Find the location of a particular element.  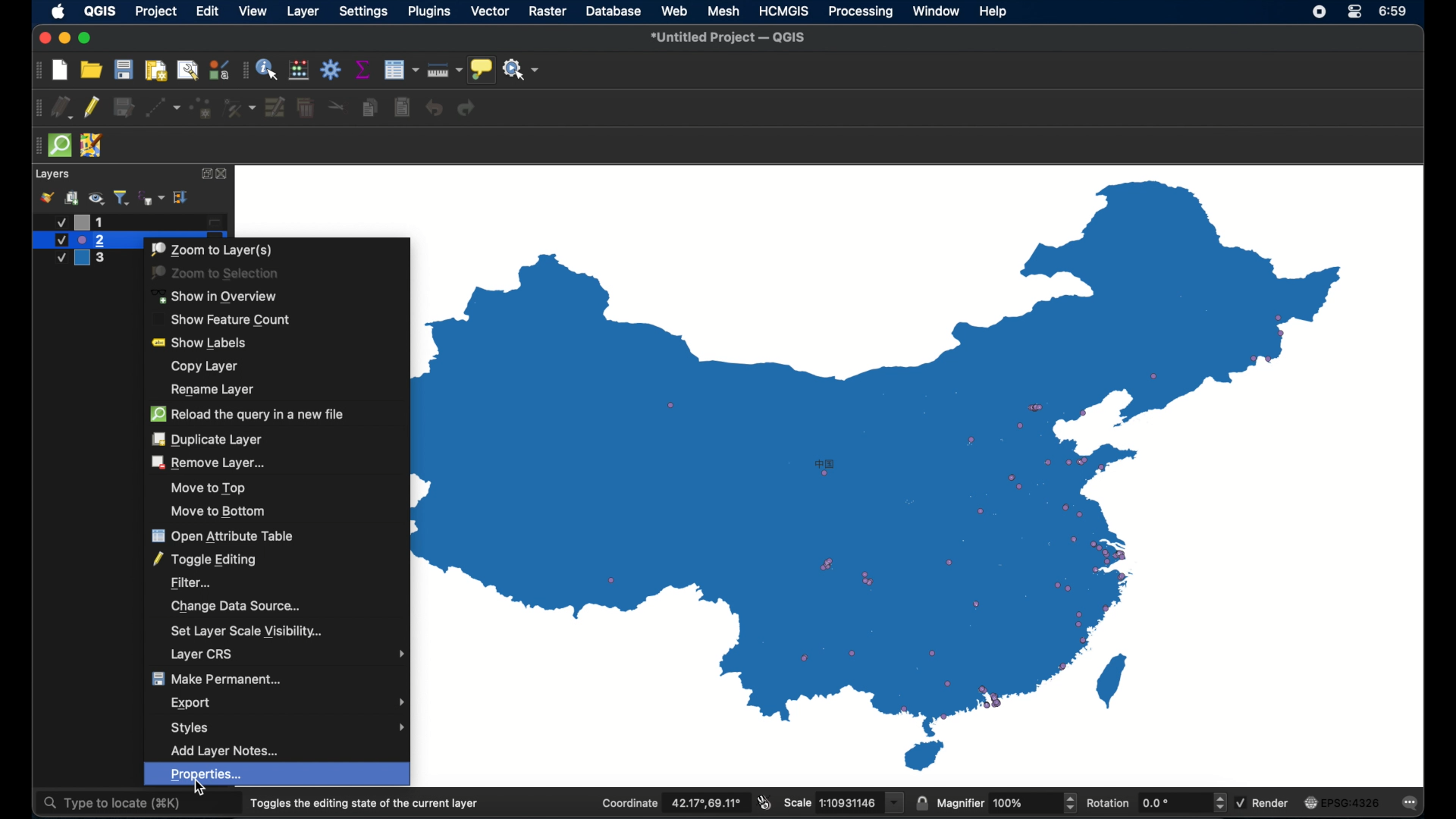

type to locate is located at coordinates (110, 804).